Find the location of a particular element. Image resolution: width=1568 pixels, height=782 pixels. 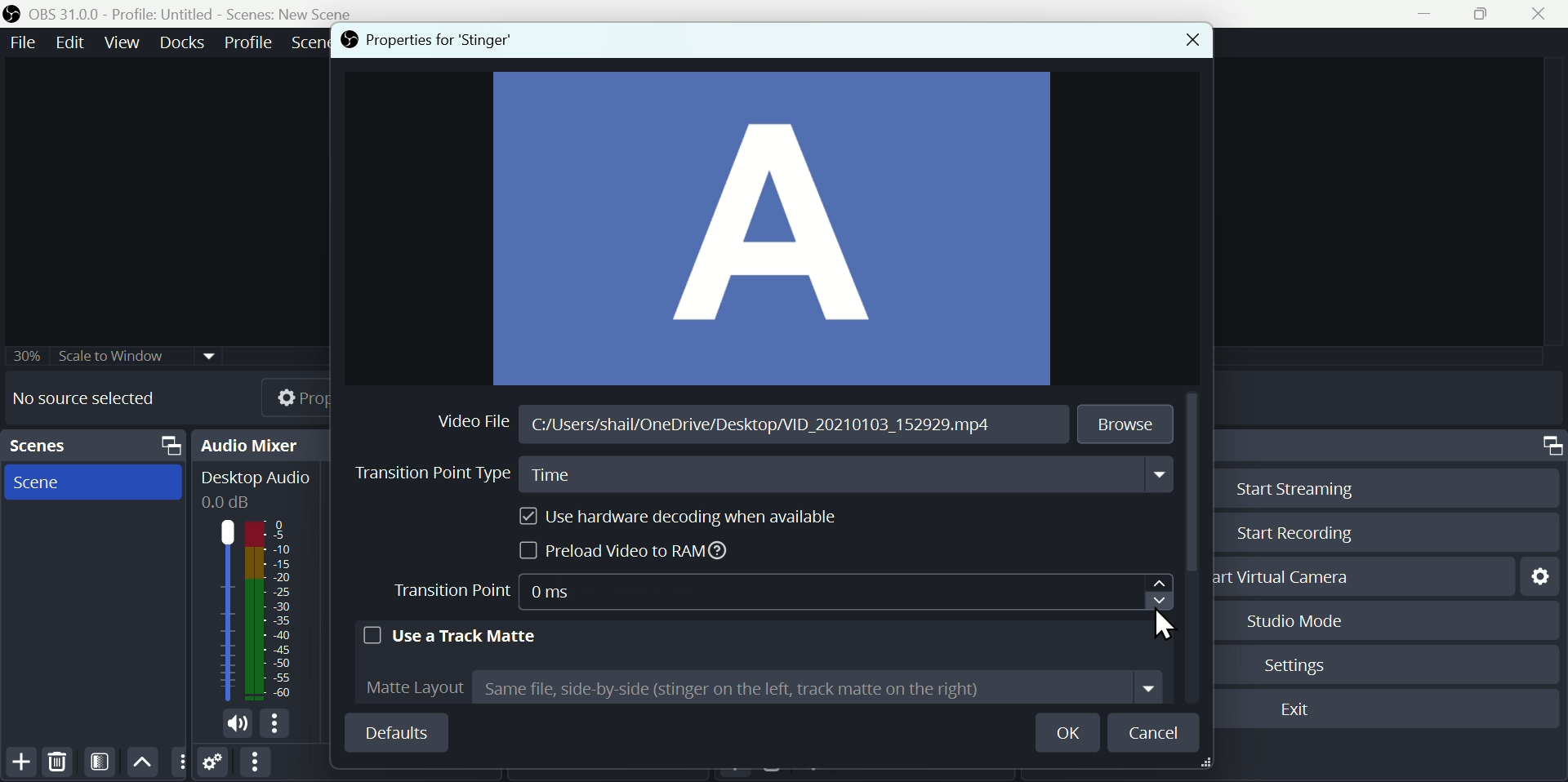

minimise is located at coordinates (1430, 14).